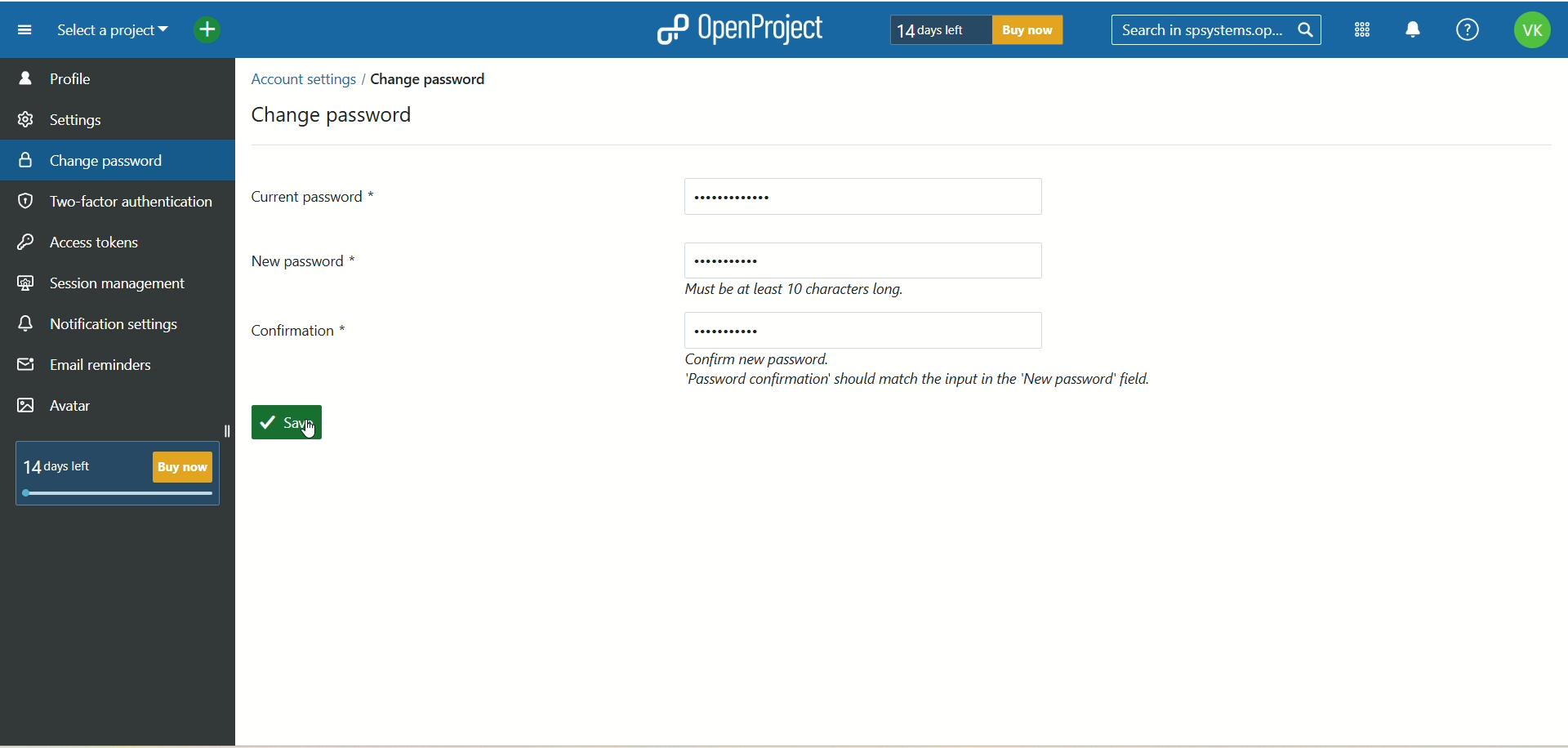 The width and height of the screenshot is (1568, 748). What do you see at coordinates (99, 324) in the screenshot?
I see `notification settings` at bounding box center [99, 324].